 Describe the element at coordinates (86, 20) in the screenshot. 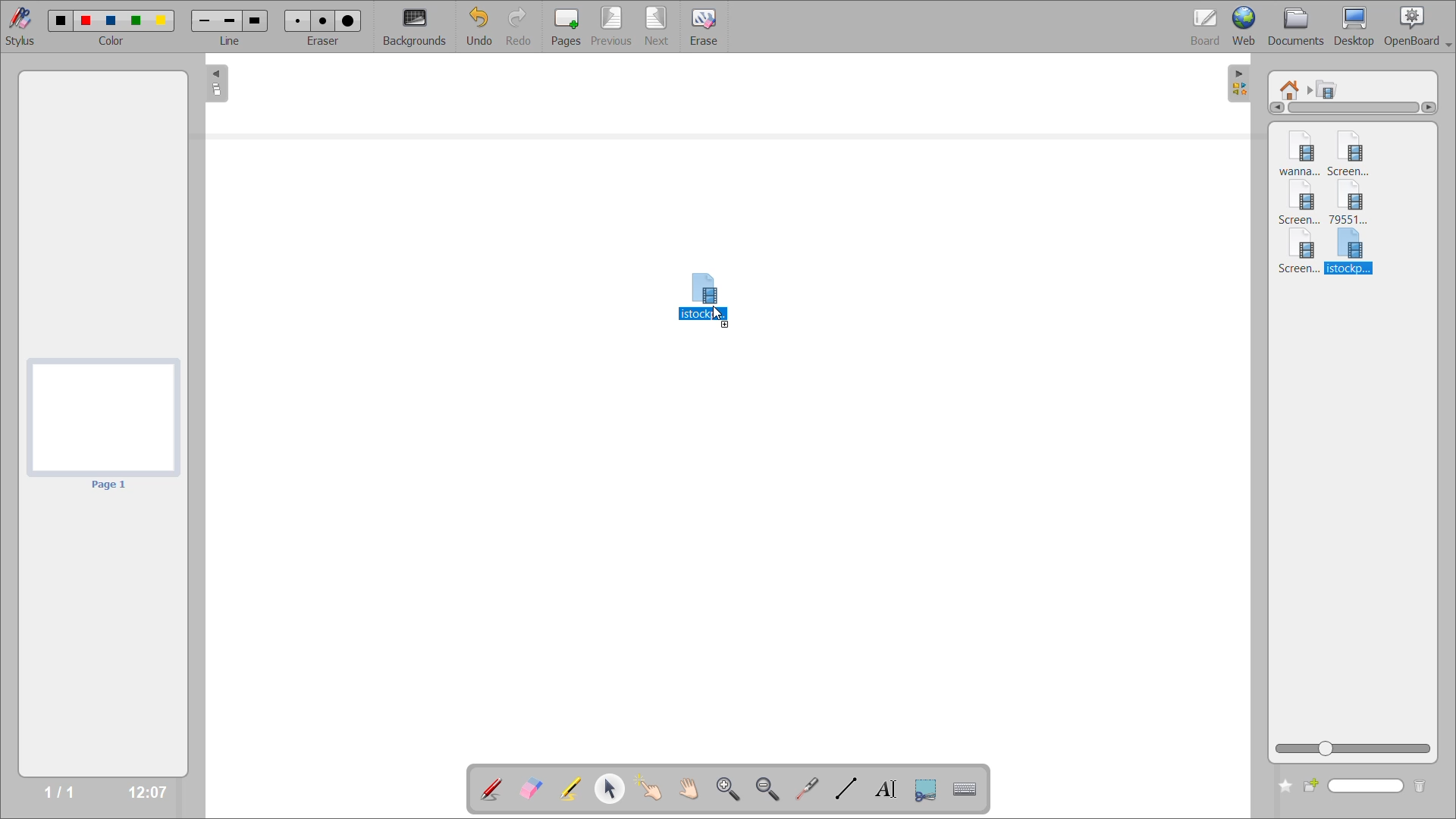

I see `color 2` at that location.